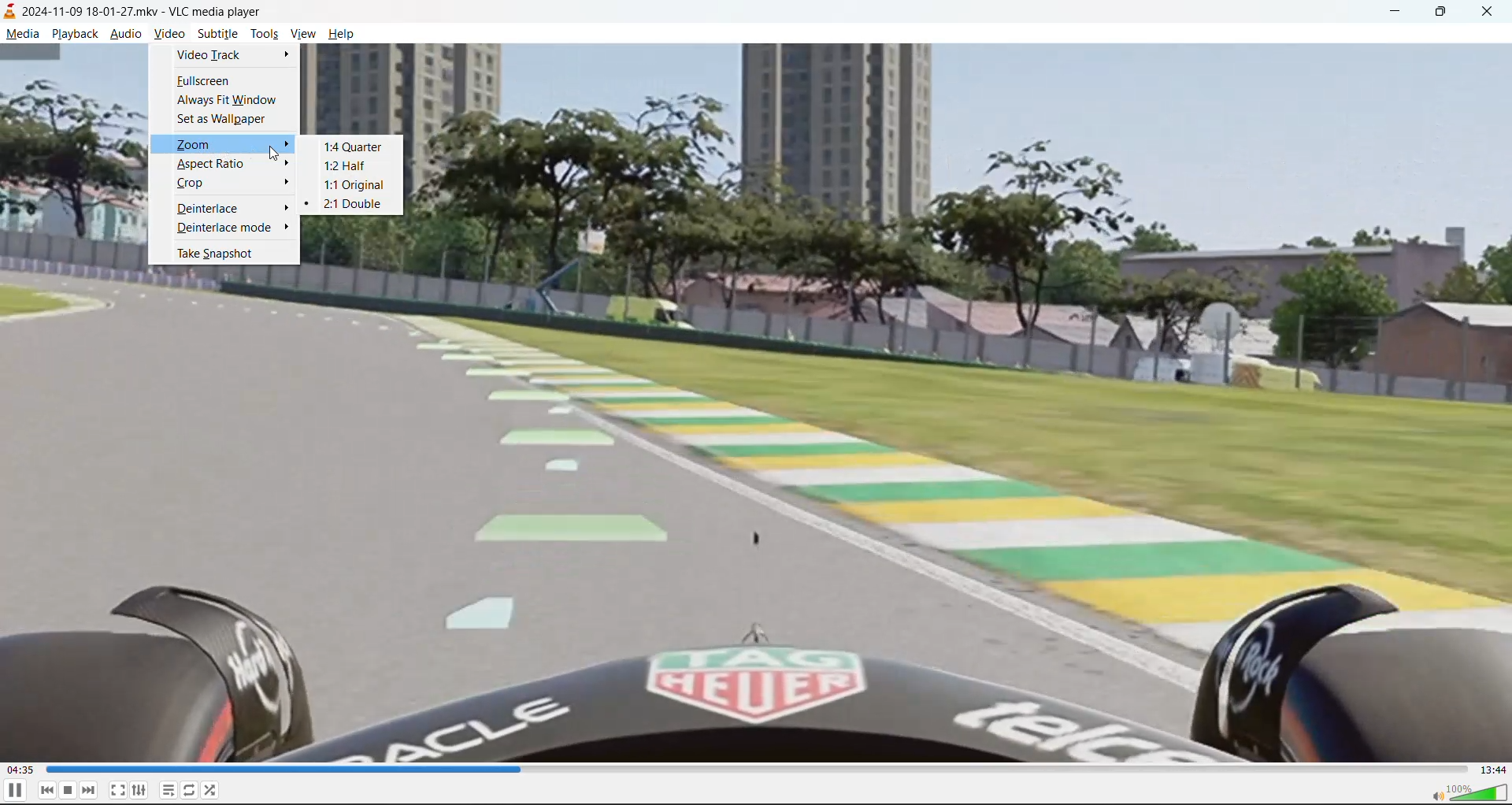 The height and width of the screenshot is (805, 1512). I want to click on playback, so click(75, 35).